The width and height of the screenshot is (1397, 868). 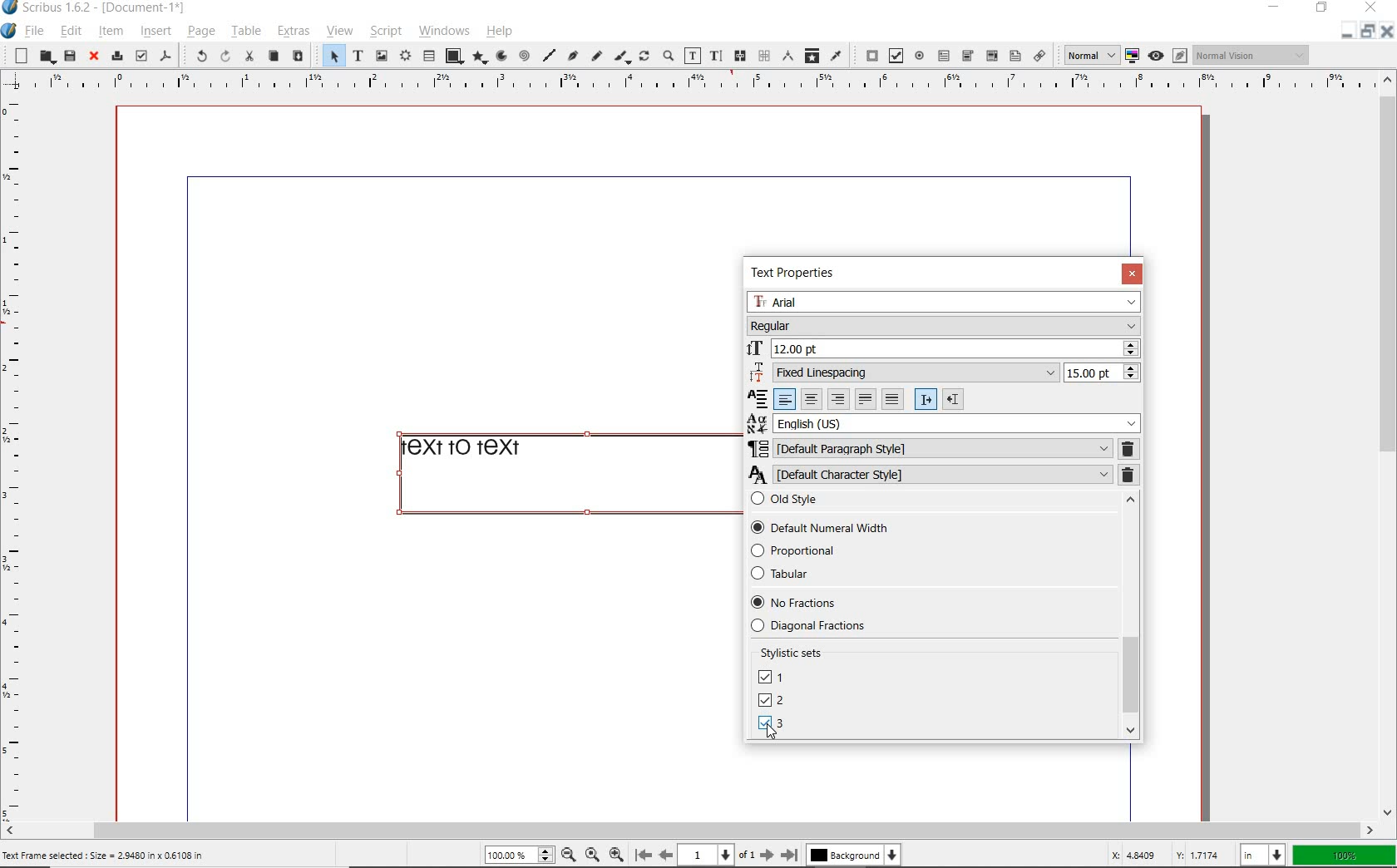 I want to click on edit text with story editor, so click(x=715, y=56).